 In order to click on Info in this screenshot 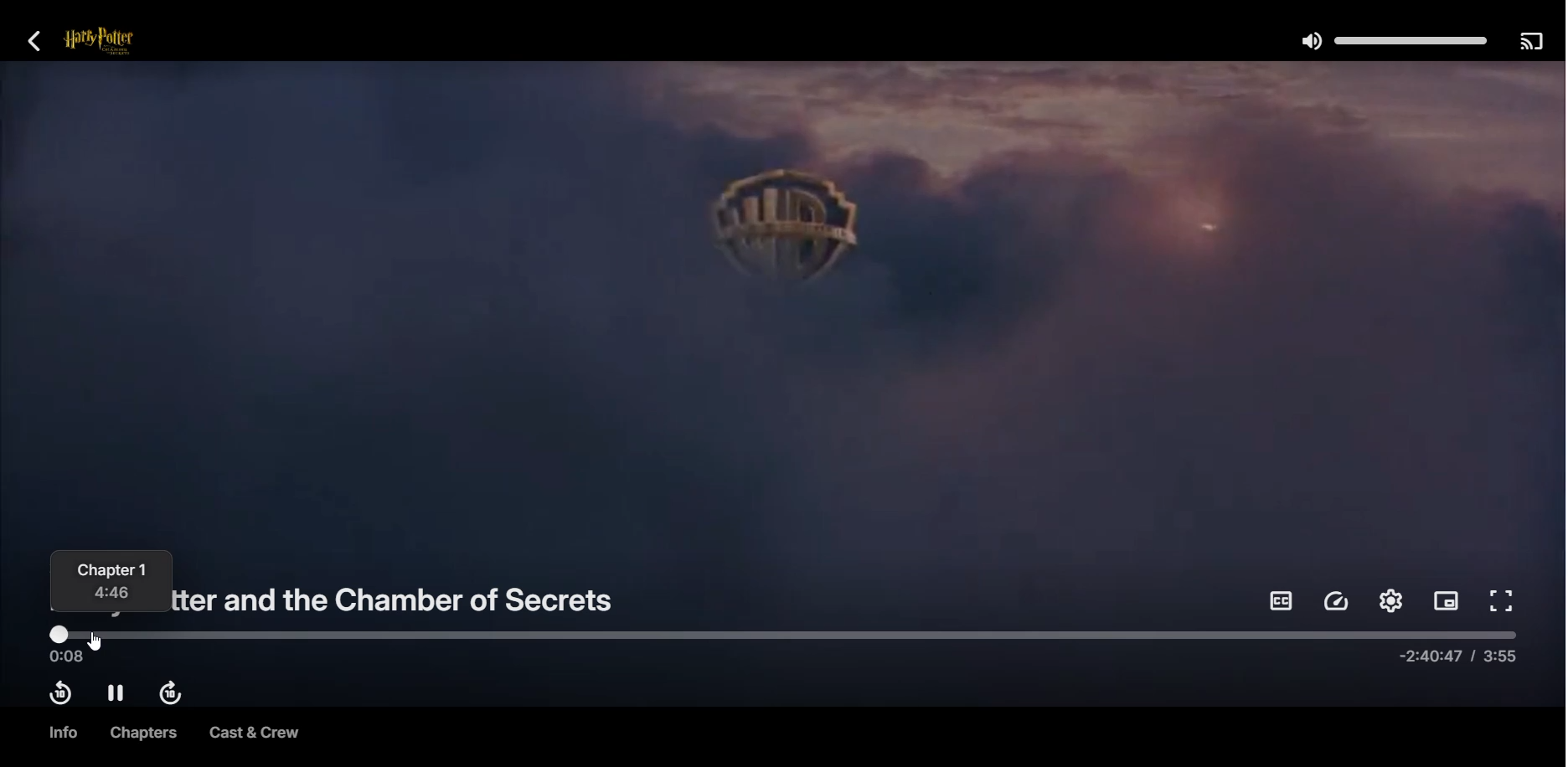, I will do `click(61, 733)`.